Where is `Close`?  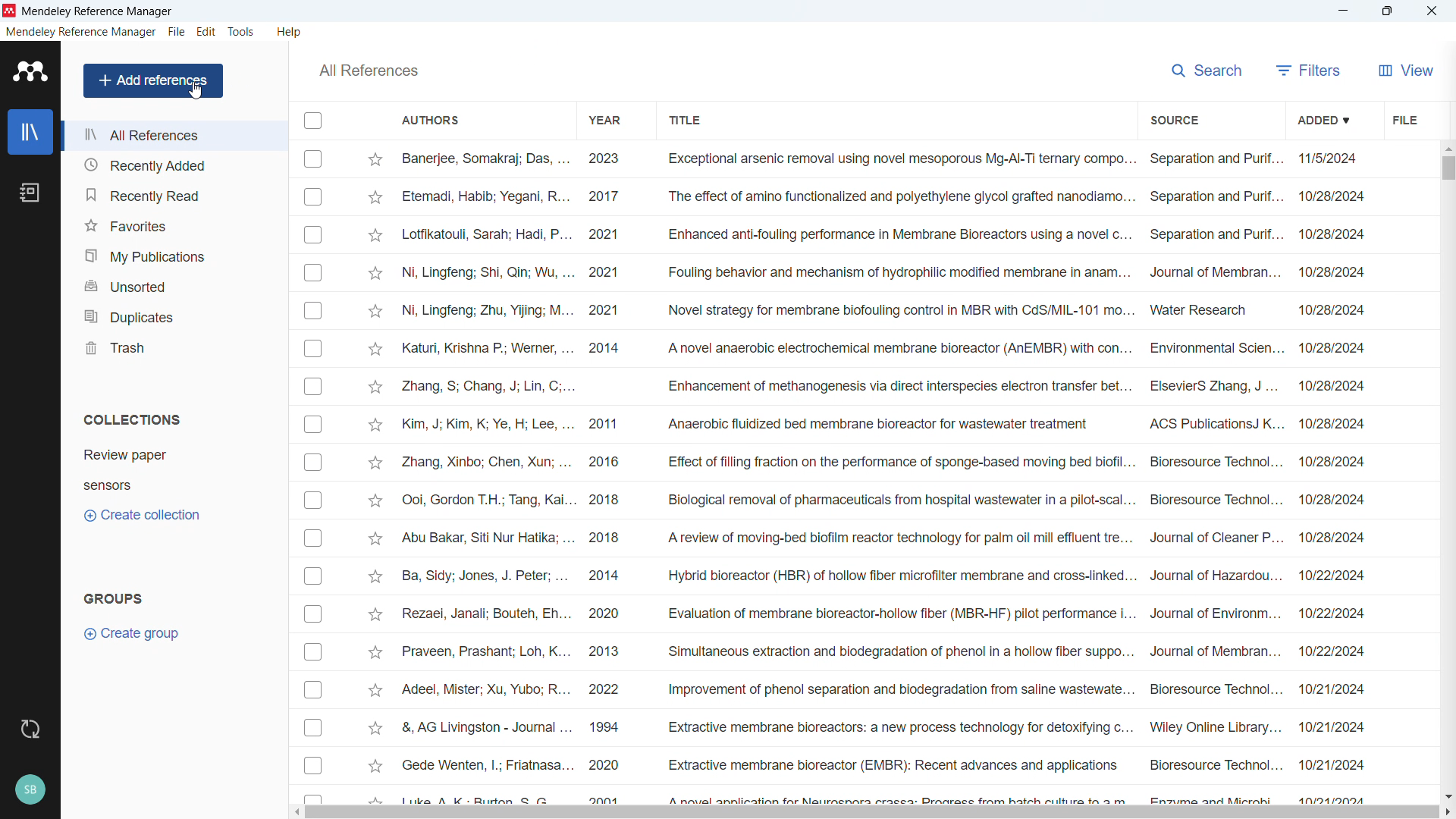
Close is located at coordinates (1432, 11).